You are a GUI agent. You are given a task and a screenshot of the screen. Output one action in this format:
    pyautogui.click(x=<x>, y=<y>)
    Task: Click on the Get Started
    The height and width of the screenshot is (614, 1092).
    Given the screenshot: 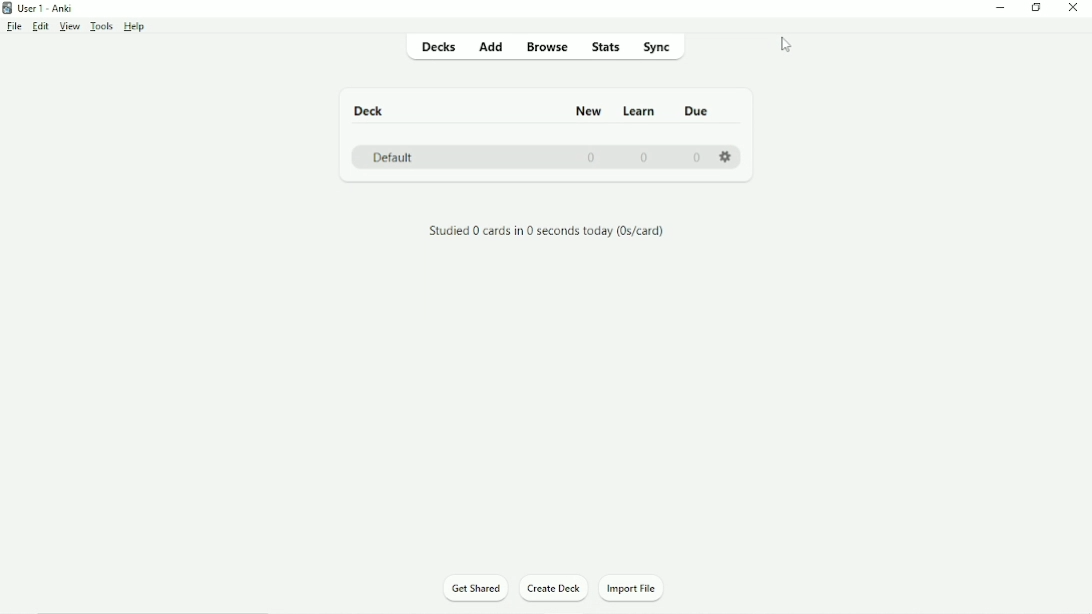 What is the action you would take?
    pyautogui.click(x=475, y=587)
    